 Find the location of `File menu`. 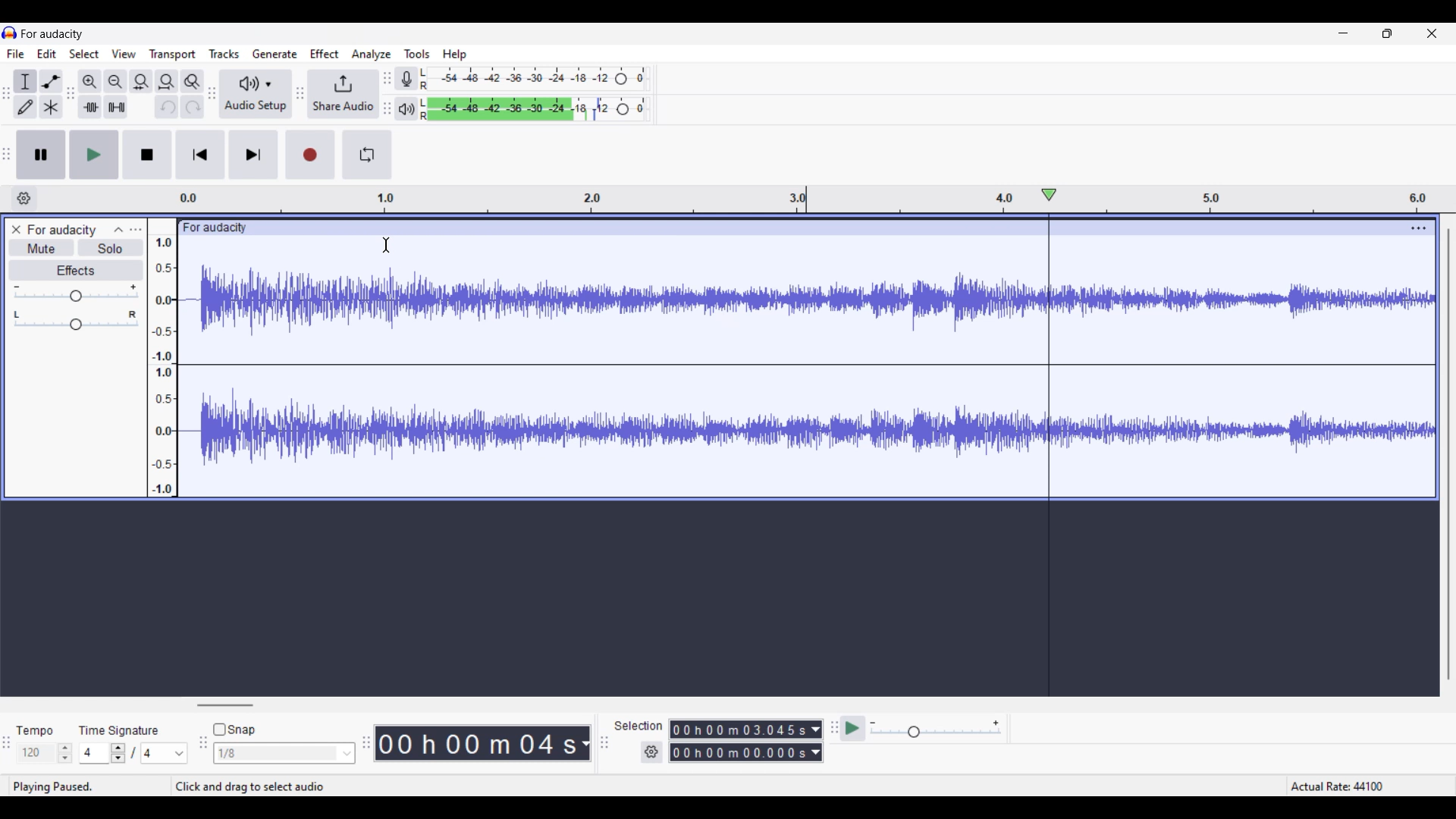

File menu is located at coordinates (16, 54).